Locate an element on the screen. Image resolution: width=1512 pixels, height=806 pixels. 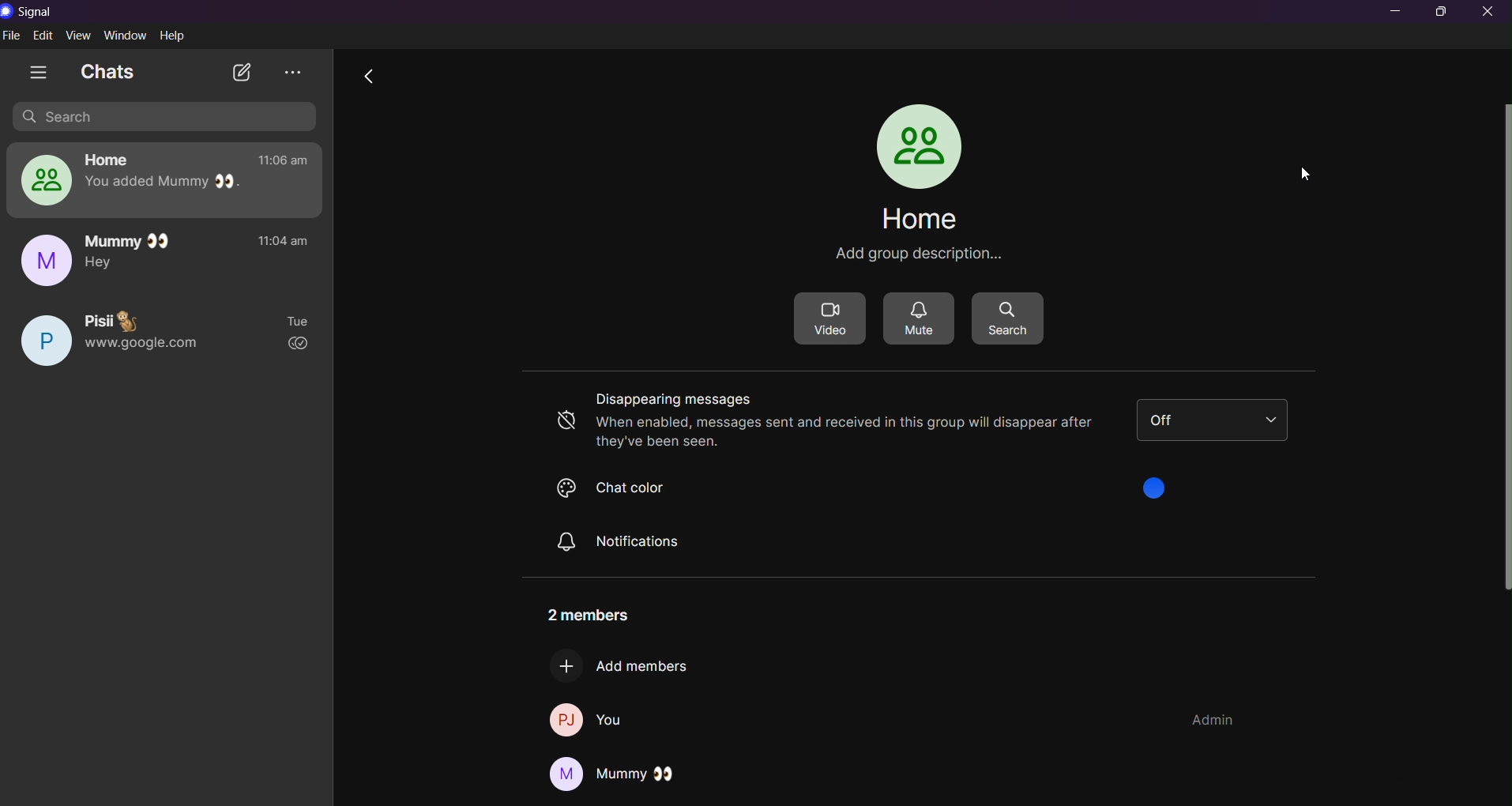
pisi chat is located at coordinates (168, 332).